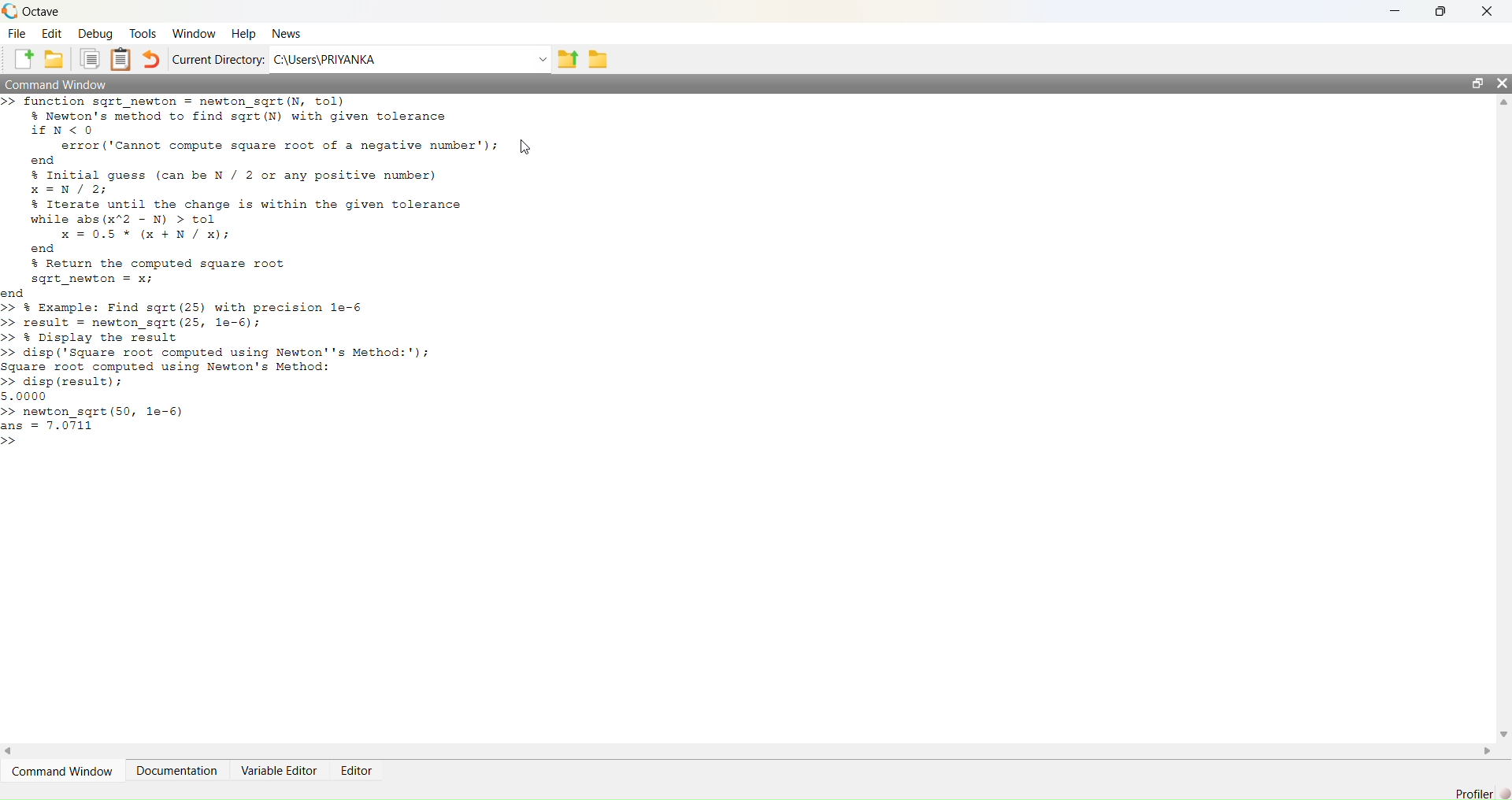 This screenshot has width=1512, height=800. Describe the element at coordinates (152, 58) in the screenshot. I see `Undo` at that location.